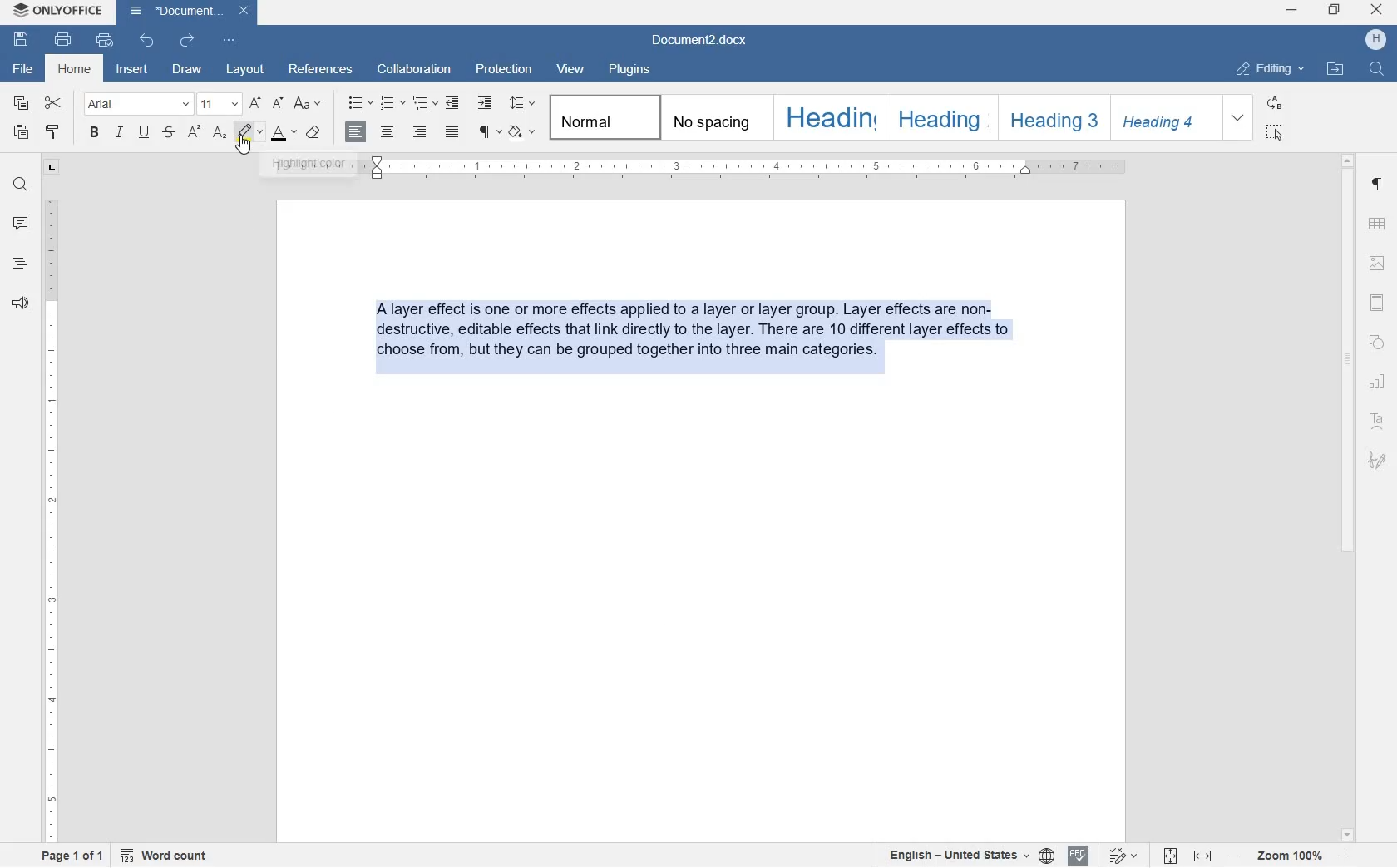 Image resolution: width=1397 pixels, height=868 pixels. I want to click on CURSOR, so click(243, 145).